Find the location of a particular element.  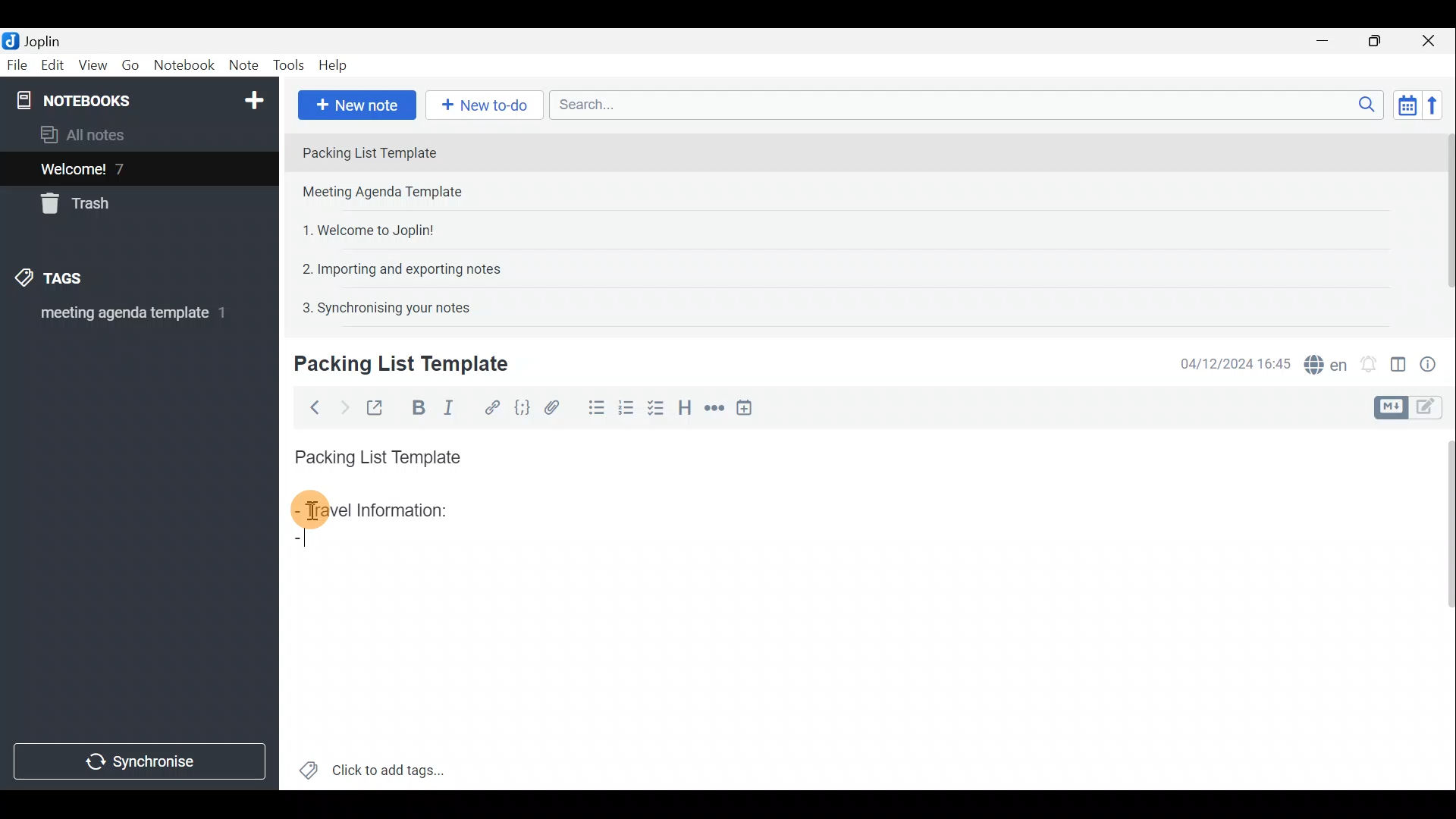

cursor is located at coordinates (311, 513).